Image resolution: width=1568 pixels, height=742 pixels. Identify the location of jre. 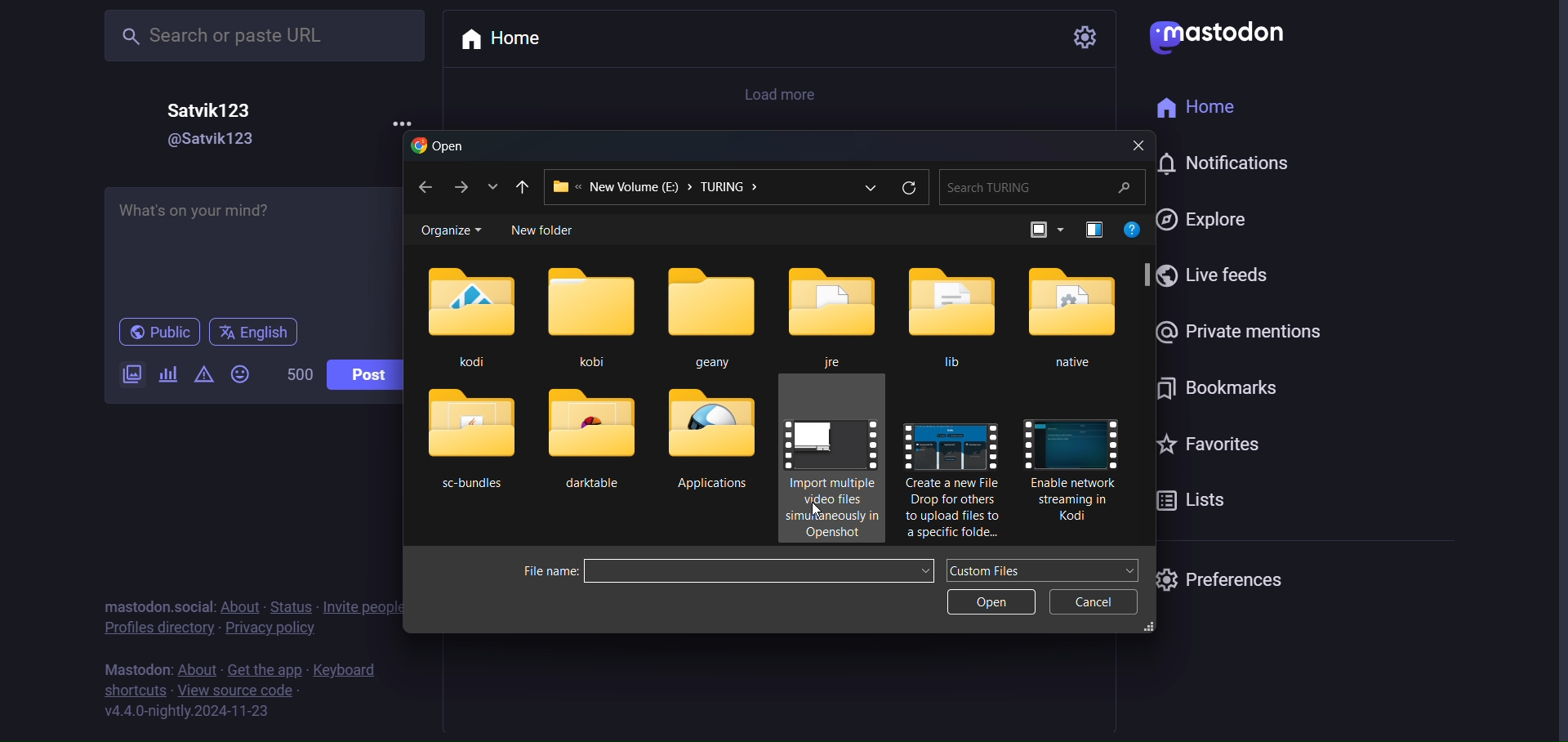
(836, 313).